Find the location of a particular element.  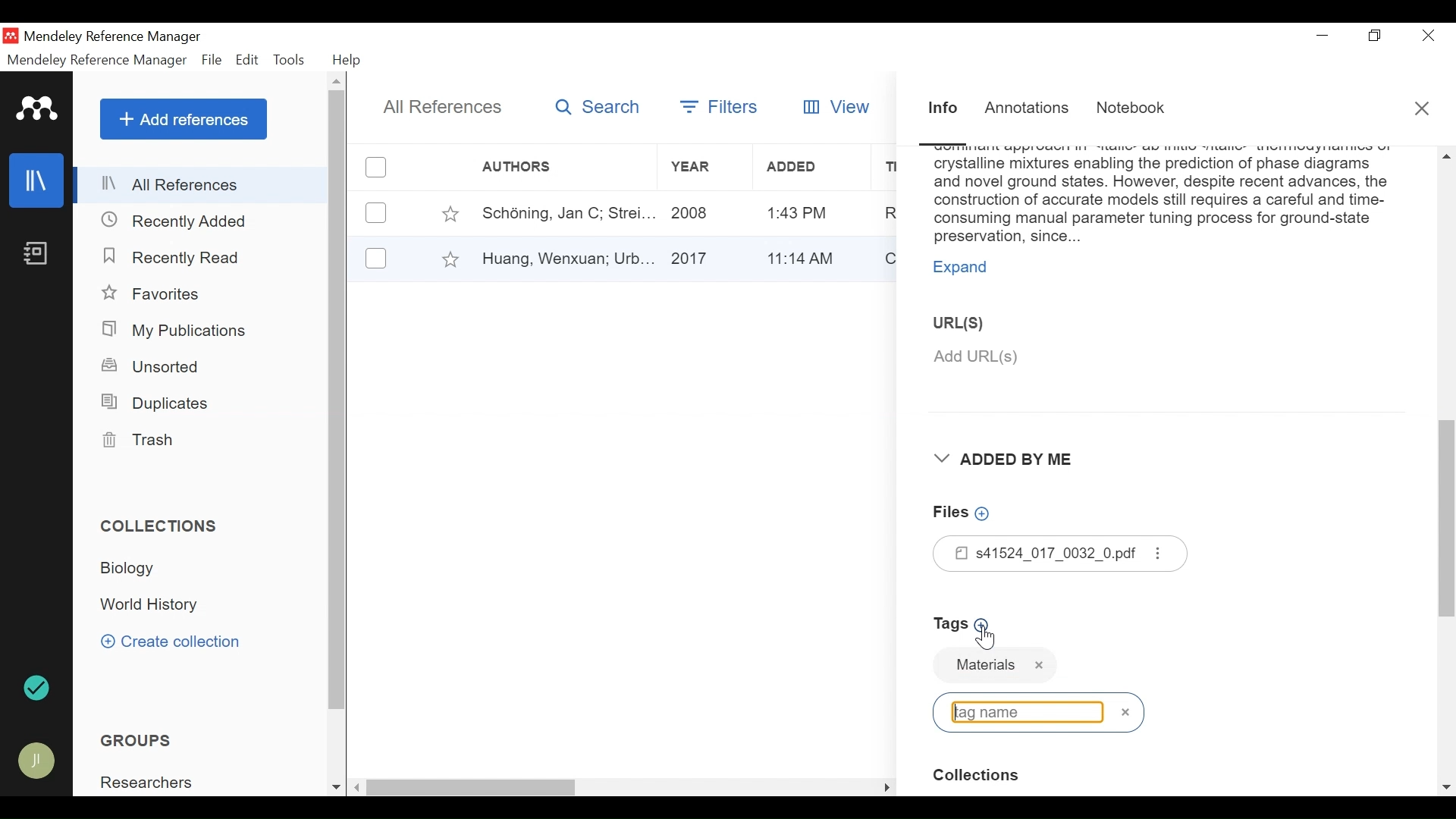

minimize is located at coordinates (1323, 36).